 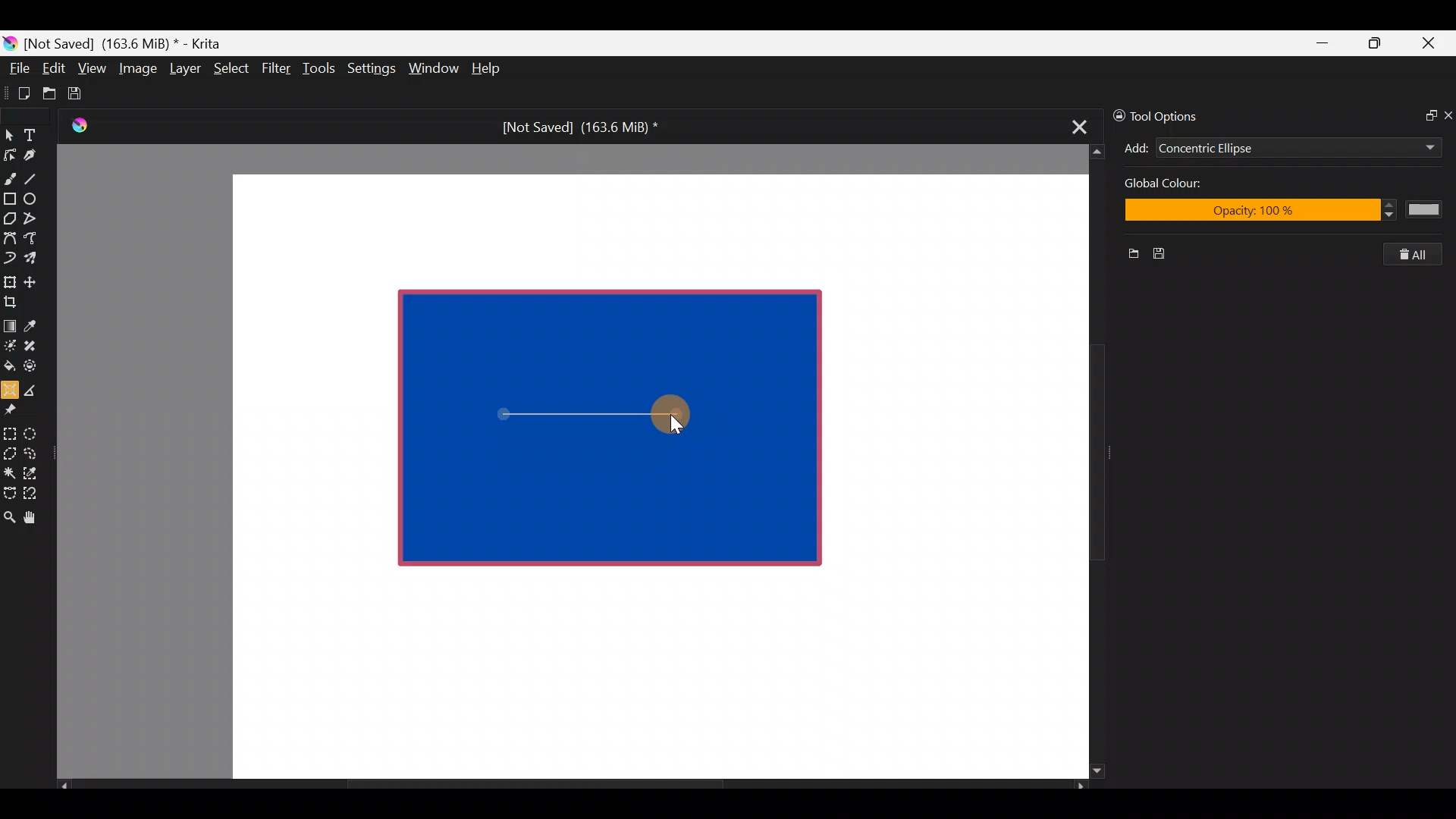 I want to click on Ellipse tool, so click(x=37, y=197).